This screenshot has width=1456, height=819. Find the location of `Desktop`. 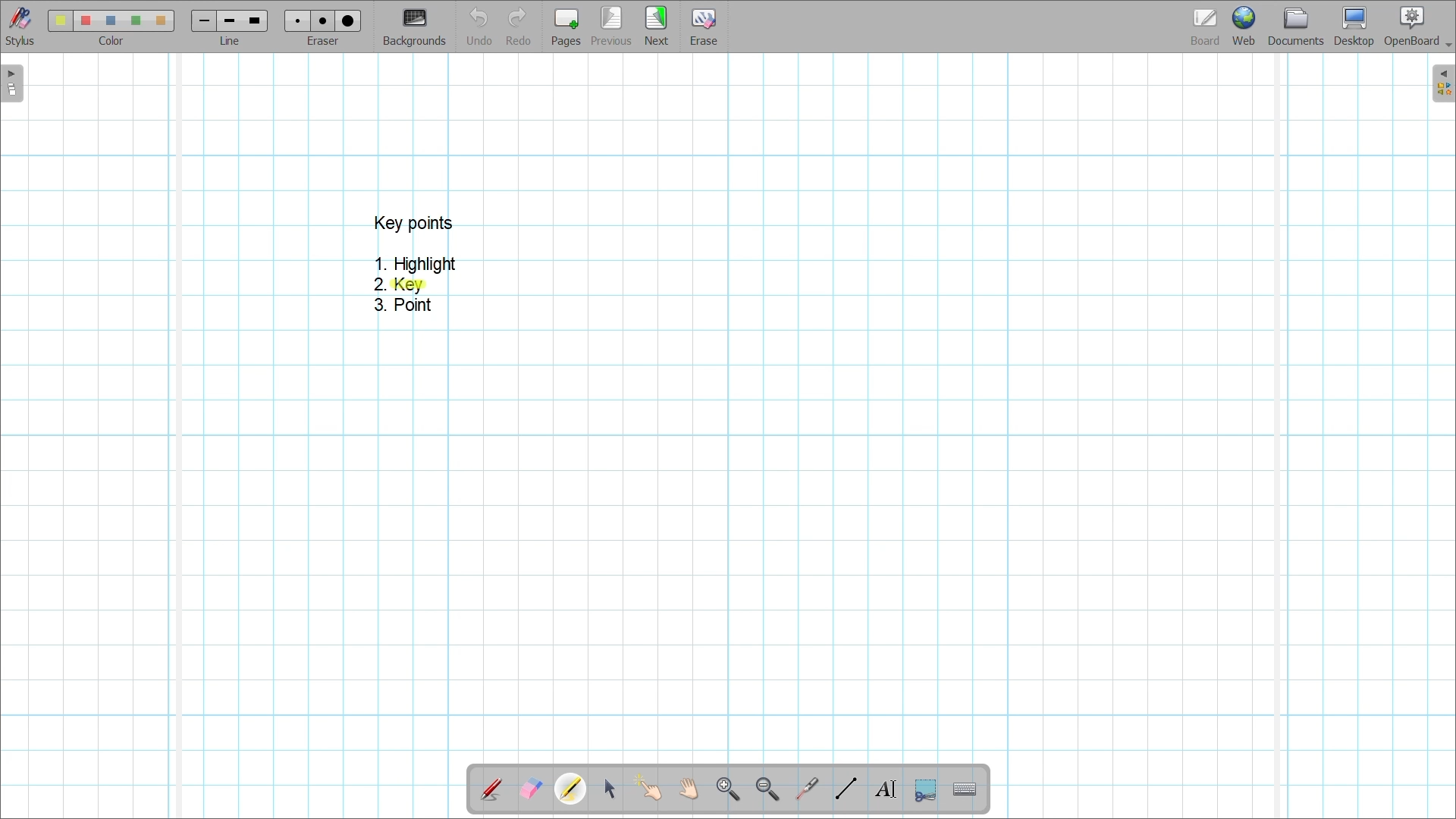

Desktop is located at coordinates (1354, 27).